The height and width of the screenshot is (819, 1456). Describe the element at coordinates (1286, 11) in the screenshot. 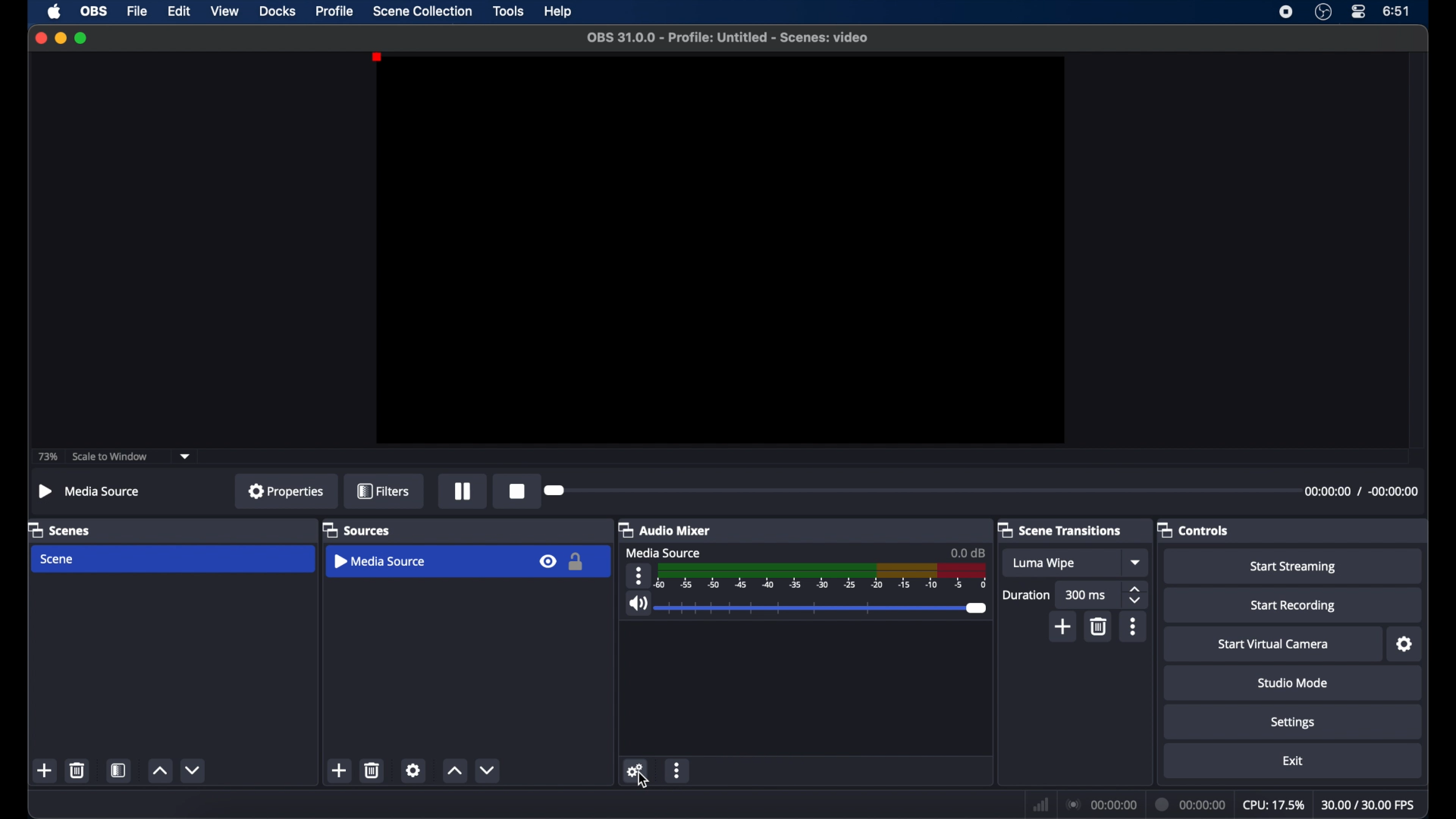

I see `screen recorder icon` at that location.